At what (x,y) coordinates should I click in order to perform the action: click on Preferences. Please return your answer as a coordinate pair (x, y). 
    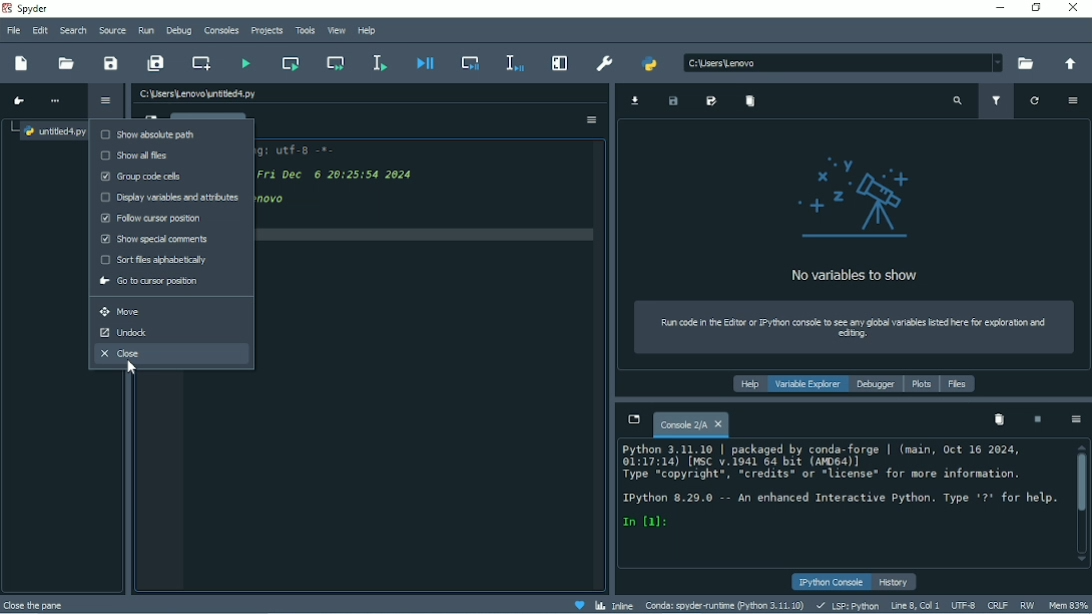
    Looking at the image, I should click on (604, 63).